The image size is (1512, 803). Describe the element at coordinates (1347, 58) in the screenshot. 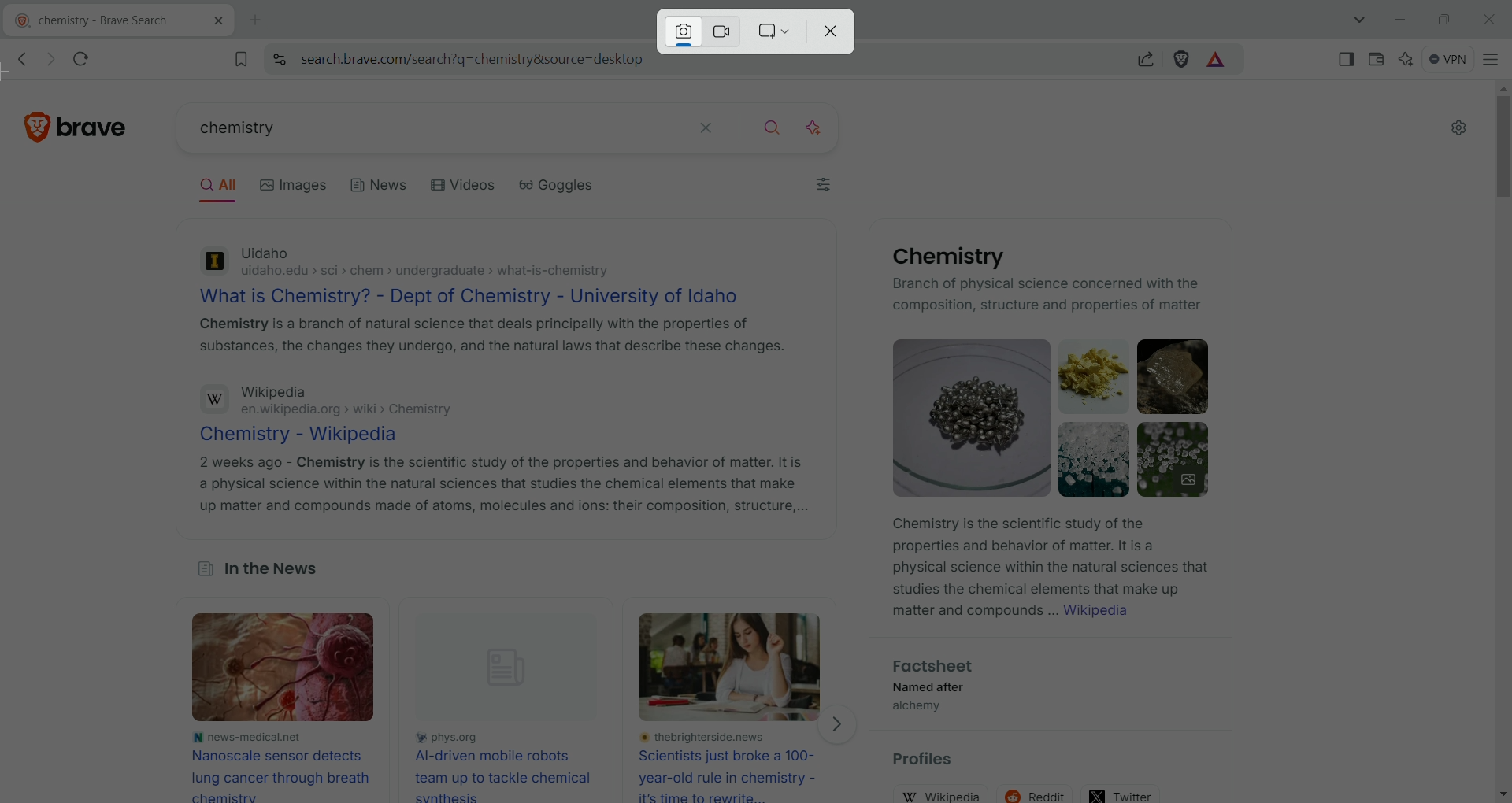

I see `show sidebar` at that location.